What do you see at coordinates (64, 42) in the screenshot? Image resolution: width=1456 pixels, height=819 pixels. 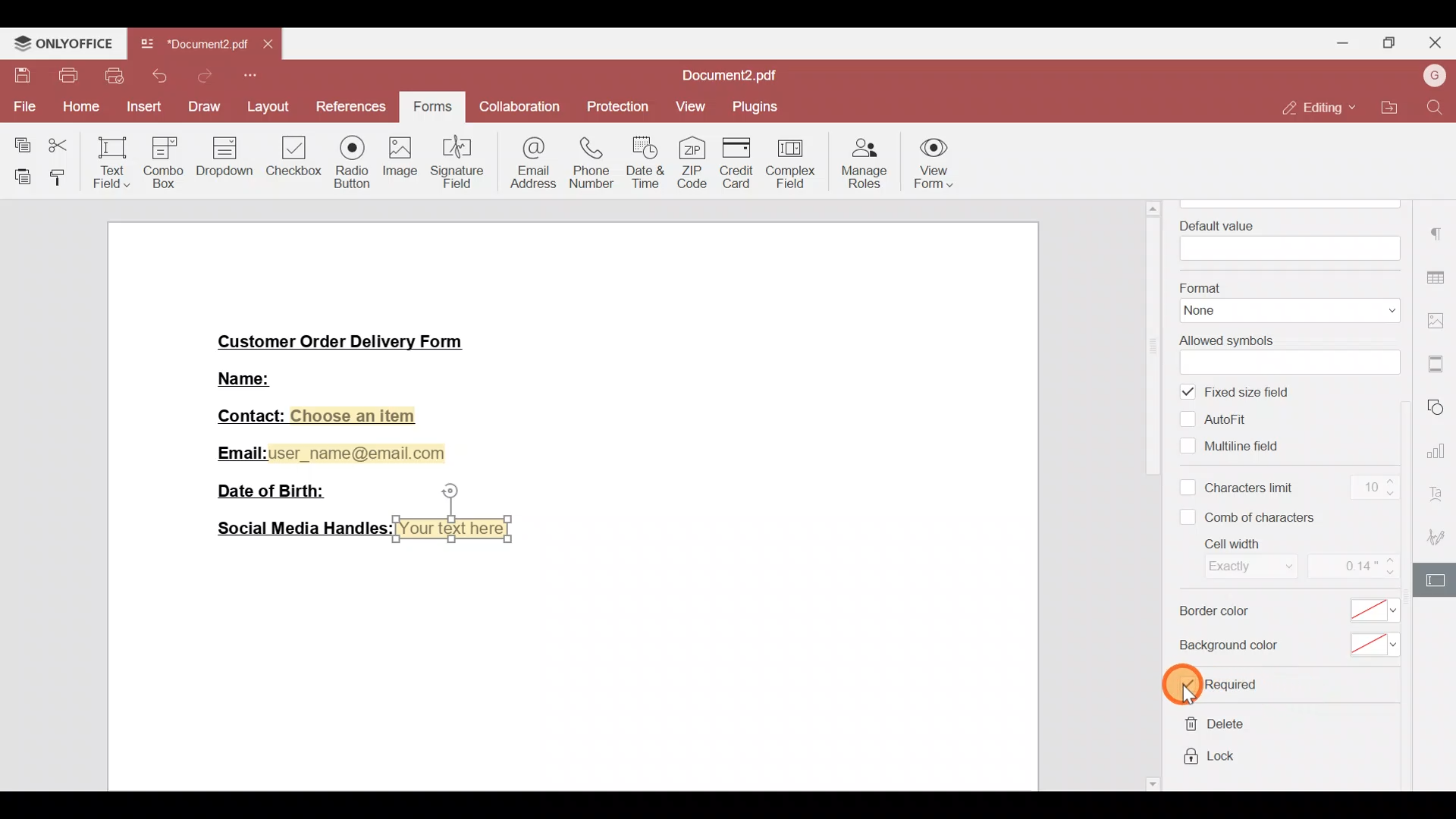 I see `ONLYOFFICE` at bounding box center [64, 42].